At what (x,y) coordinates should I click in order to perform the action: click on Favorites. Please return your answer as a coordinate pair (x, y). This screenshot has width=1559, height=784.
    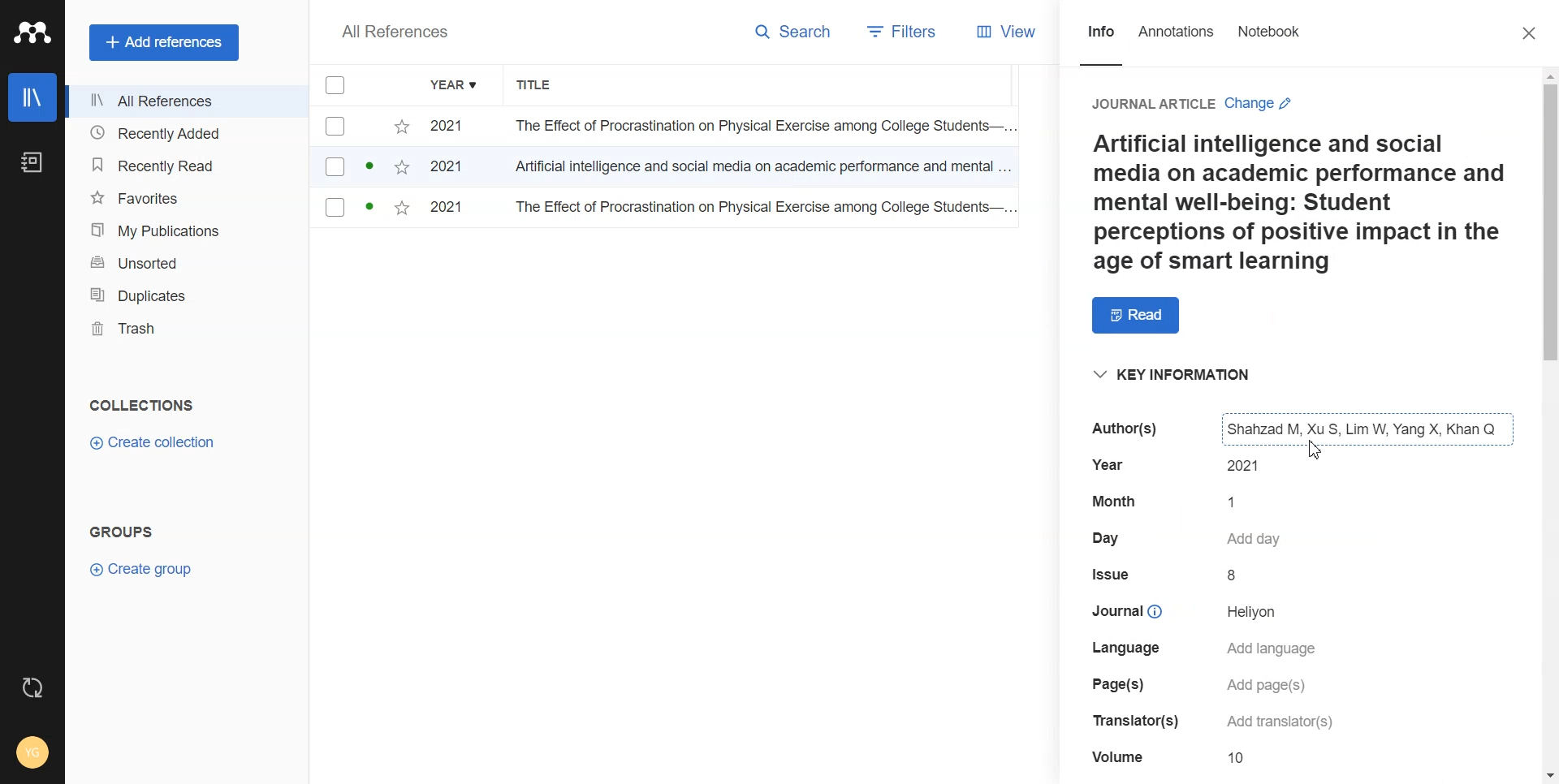
    Looking at the image, I should click on (185, 197).